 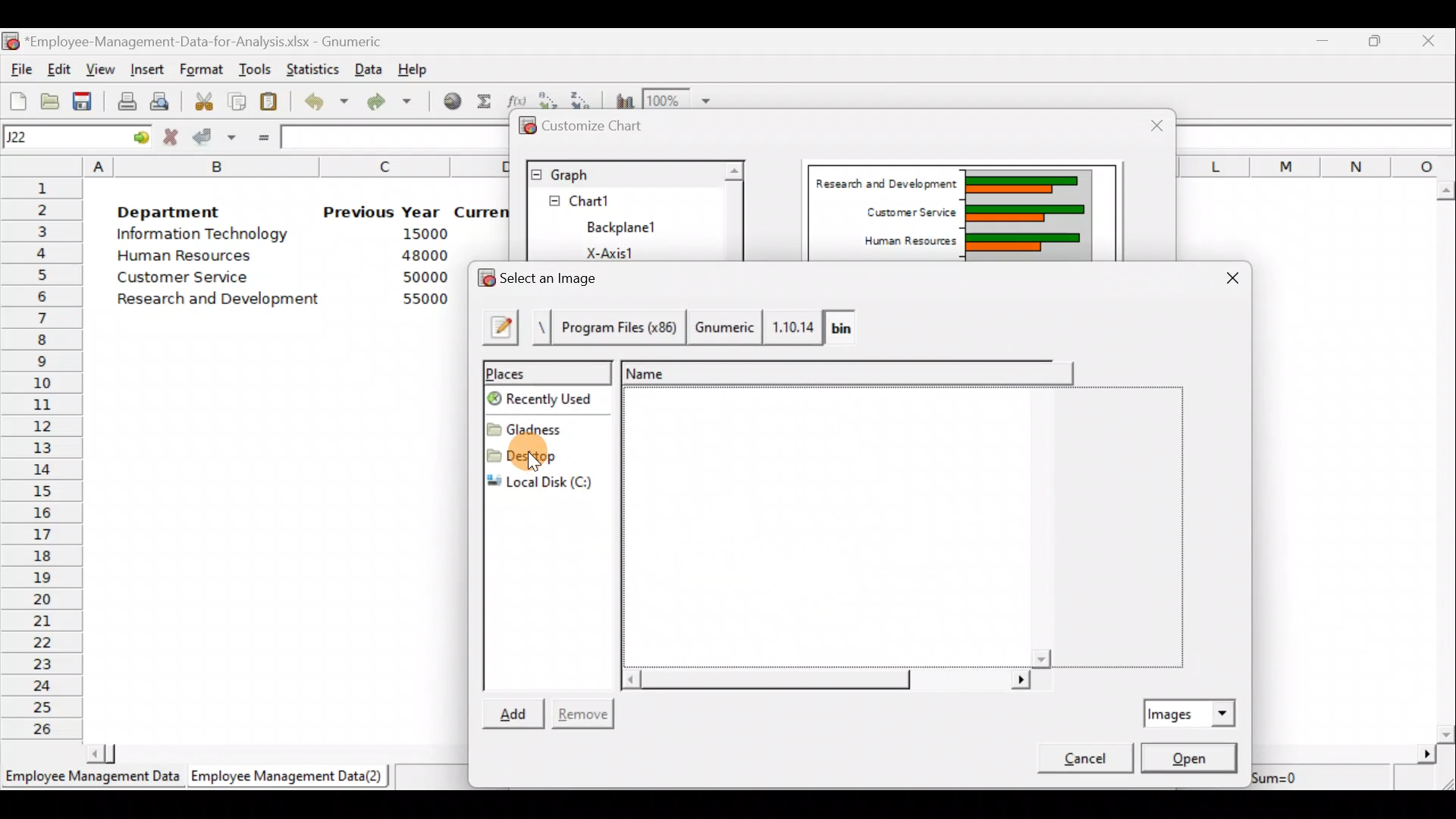 What do you see at coordinates (548, 482) in the screenshot?
I see `Local disk` at bounding box center [548, 482].